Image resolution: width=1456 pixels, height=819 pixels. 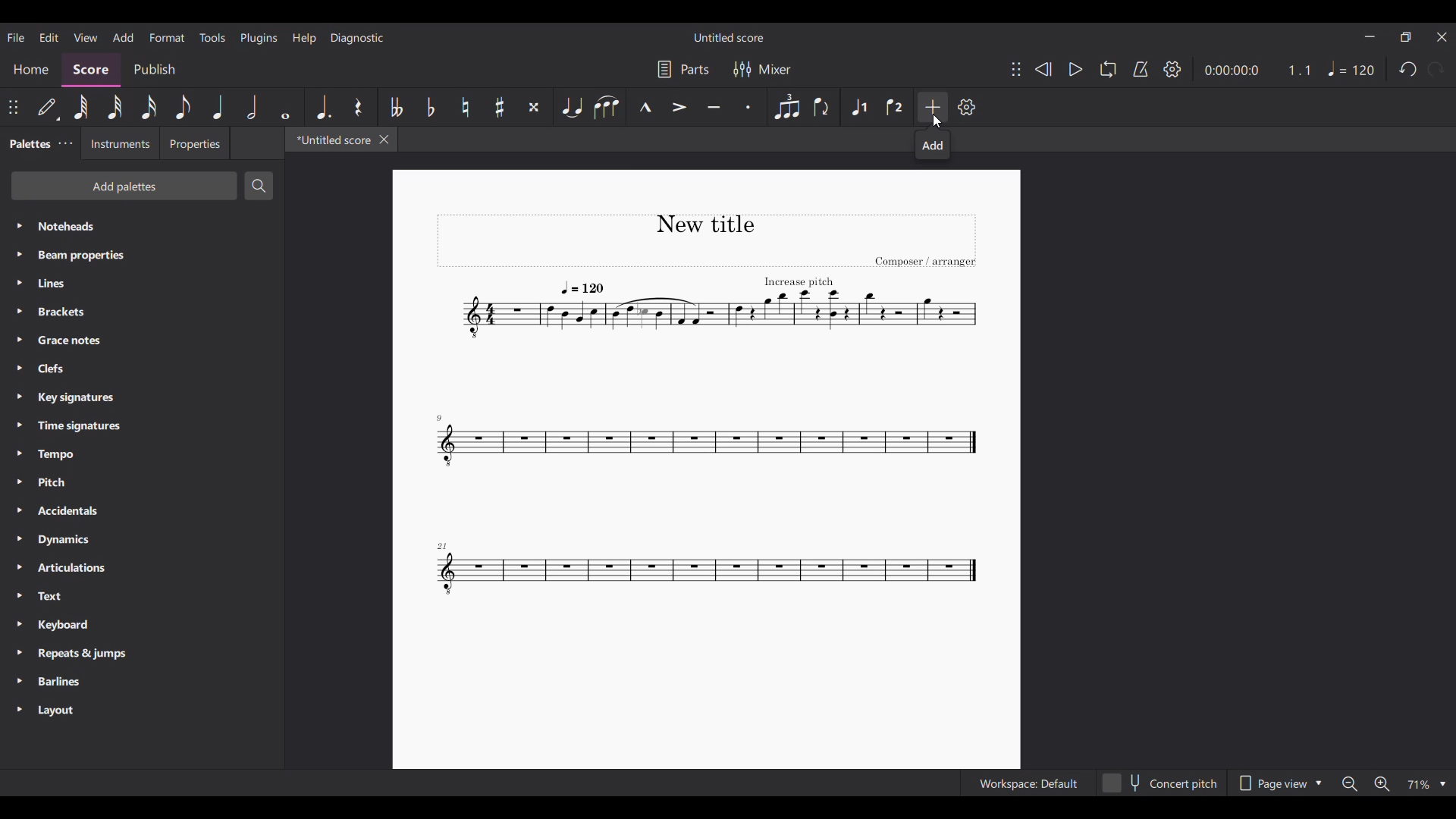 I want to click on Augmentation dot, so click(x=322, y=107).